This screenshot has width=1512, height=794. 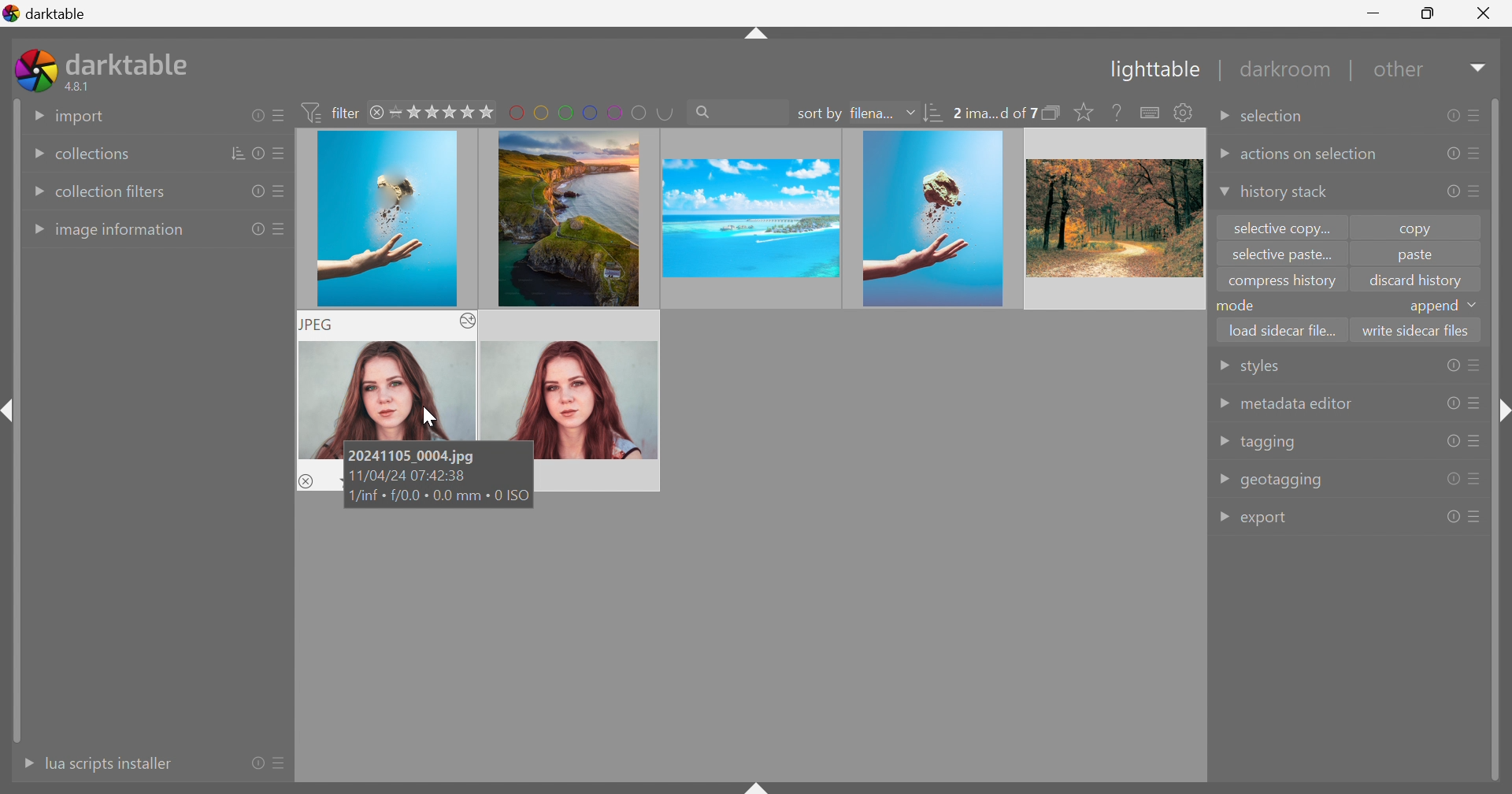 What do you see at coordinates (1052, 113) in the screenshot?
I see `collapse grouped images` at bounding box center [1052, 113].